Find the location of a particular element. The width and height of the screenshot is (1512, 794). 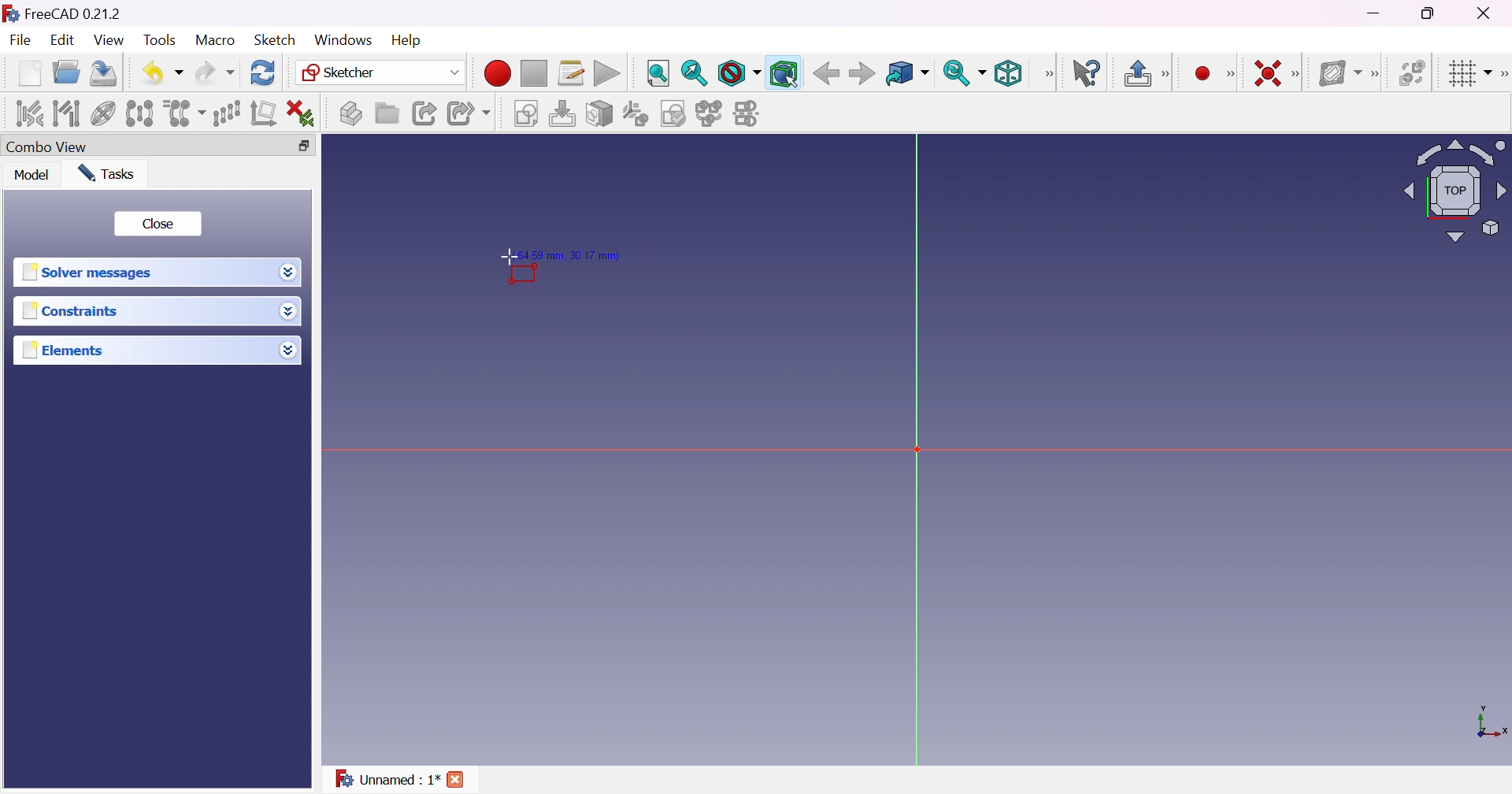

Save is located at coordinates (105, 74).